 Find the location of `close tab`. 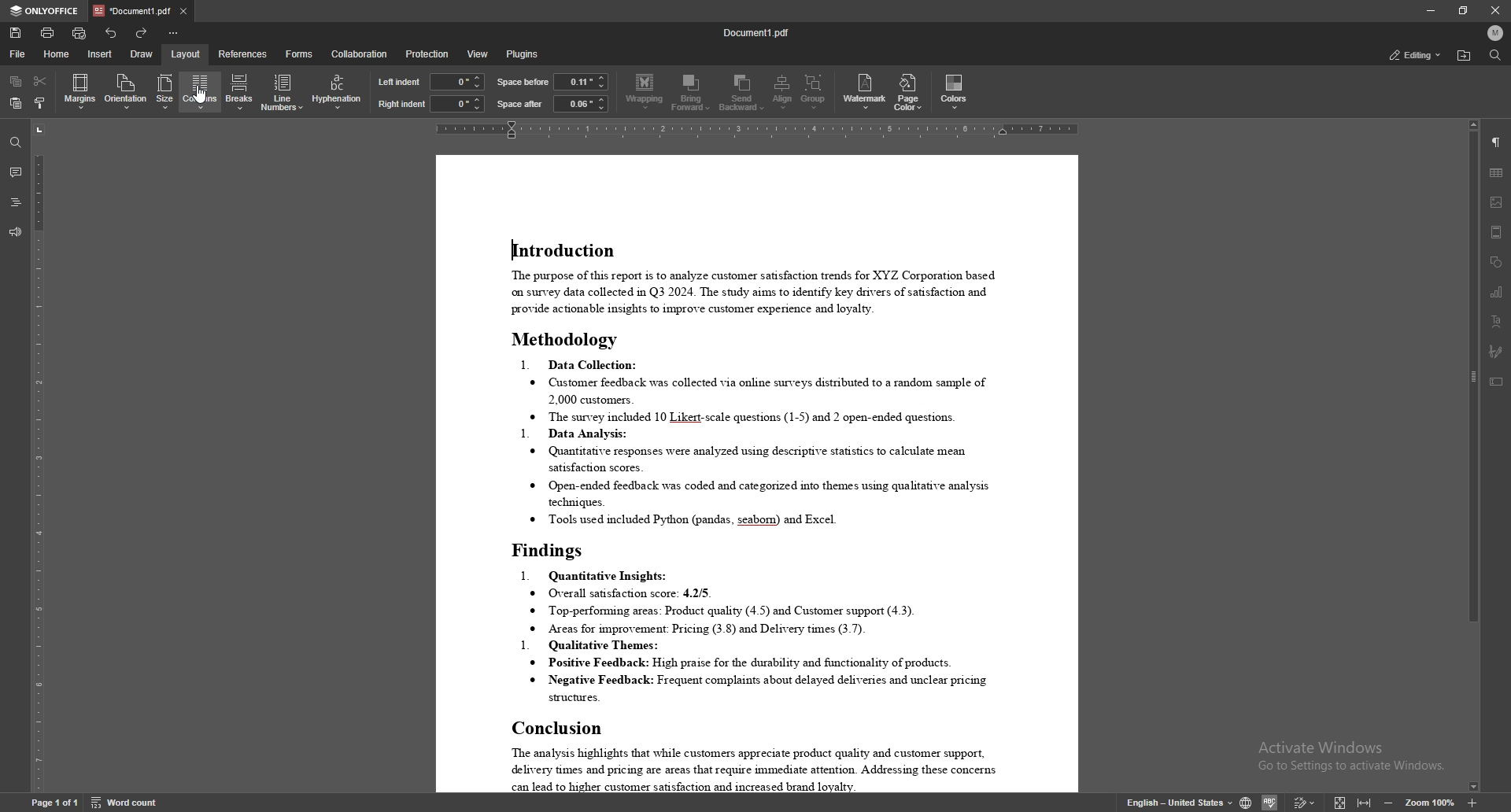

close tab is located at coordinates (185, 11).